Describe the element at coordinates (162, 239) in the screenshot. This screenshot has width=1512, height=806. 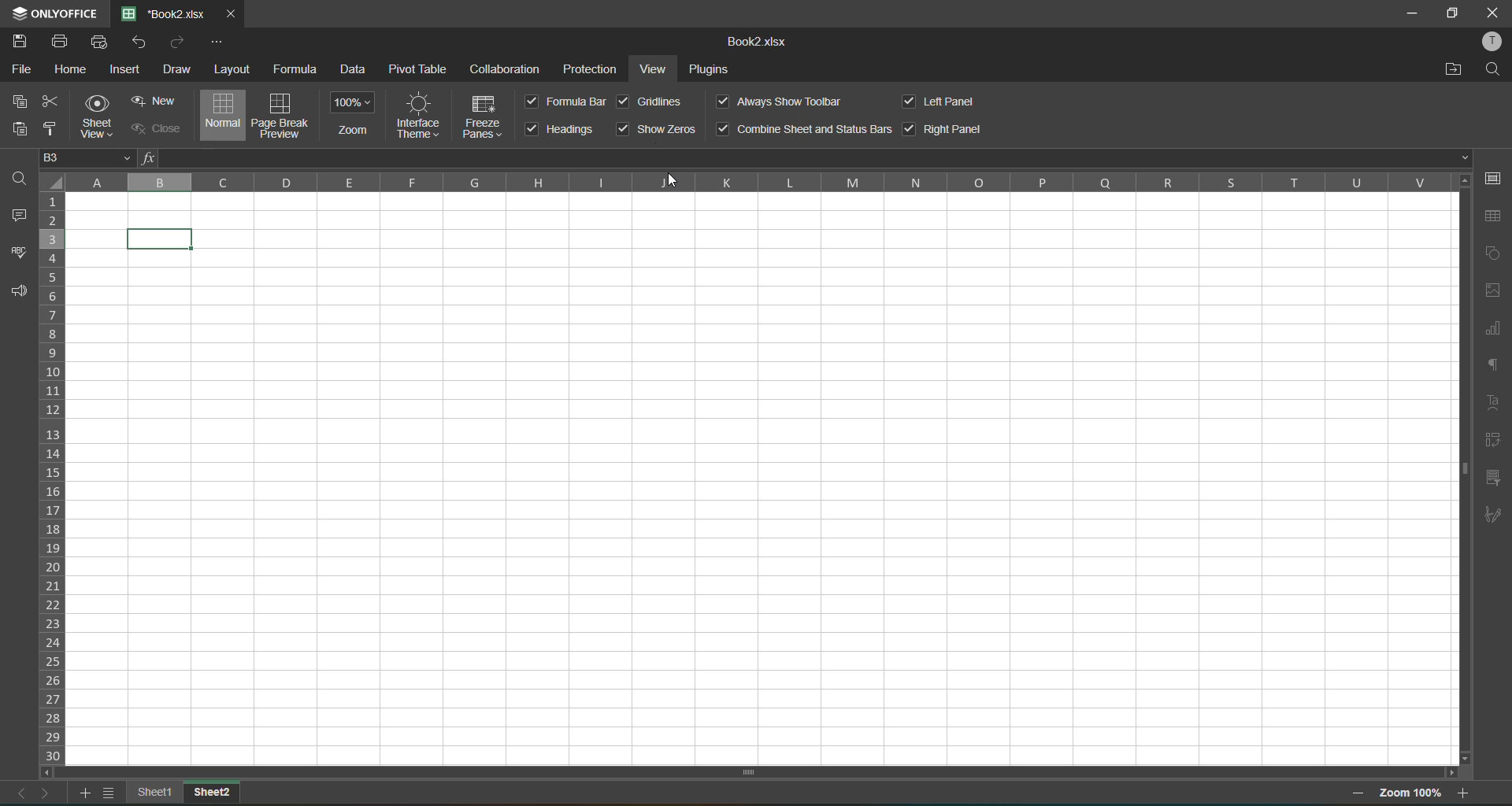
I see `cell` at that location.